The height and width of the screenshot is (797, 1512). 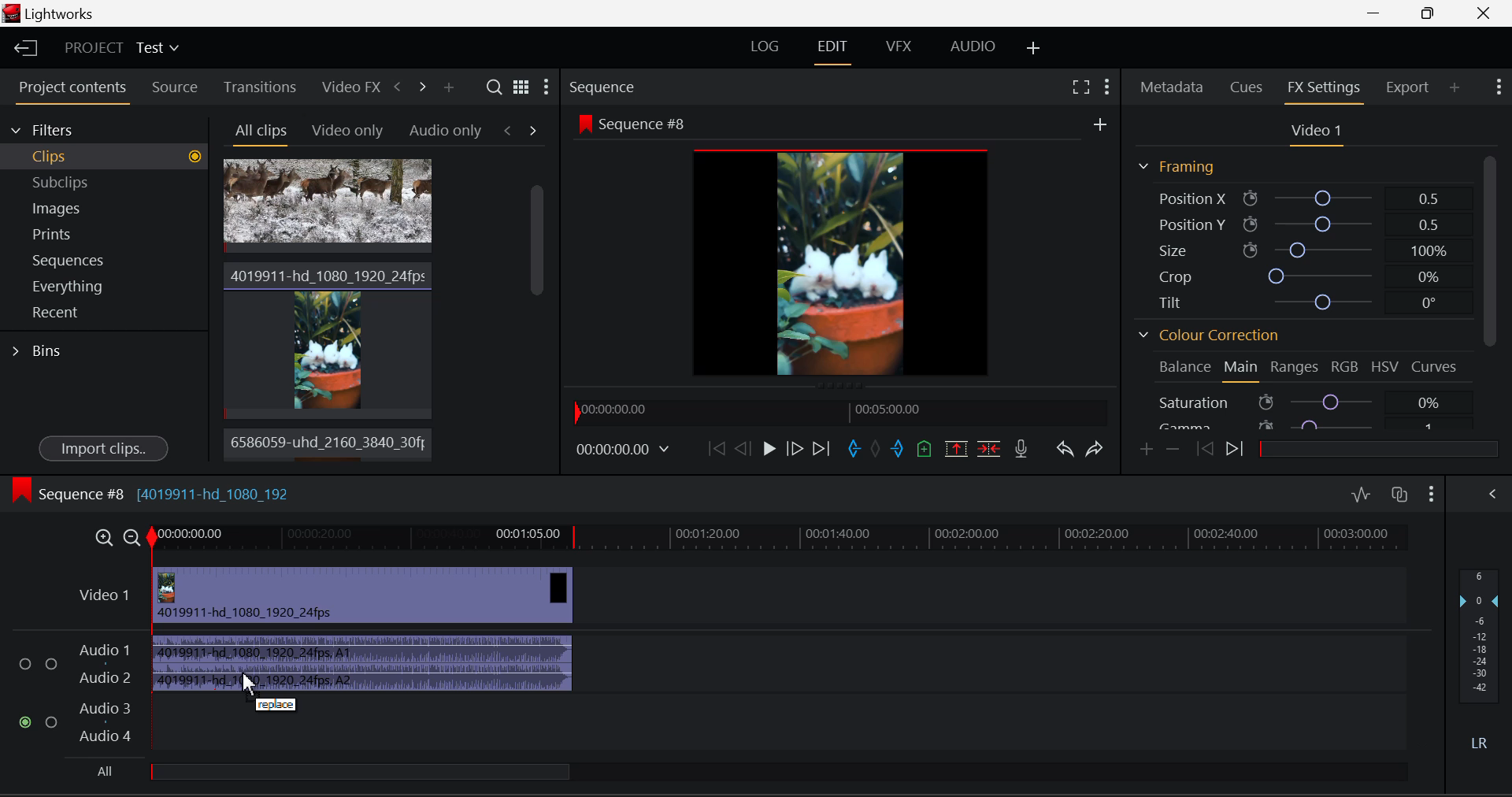 What do you see at coordinates (1343, 365) in the screenshot?
I see `RGB` at bounding box center [1343, 365].